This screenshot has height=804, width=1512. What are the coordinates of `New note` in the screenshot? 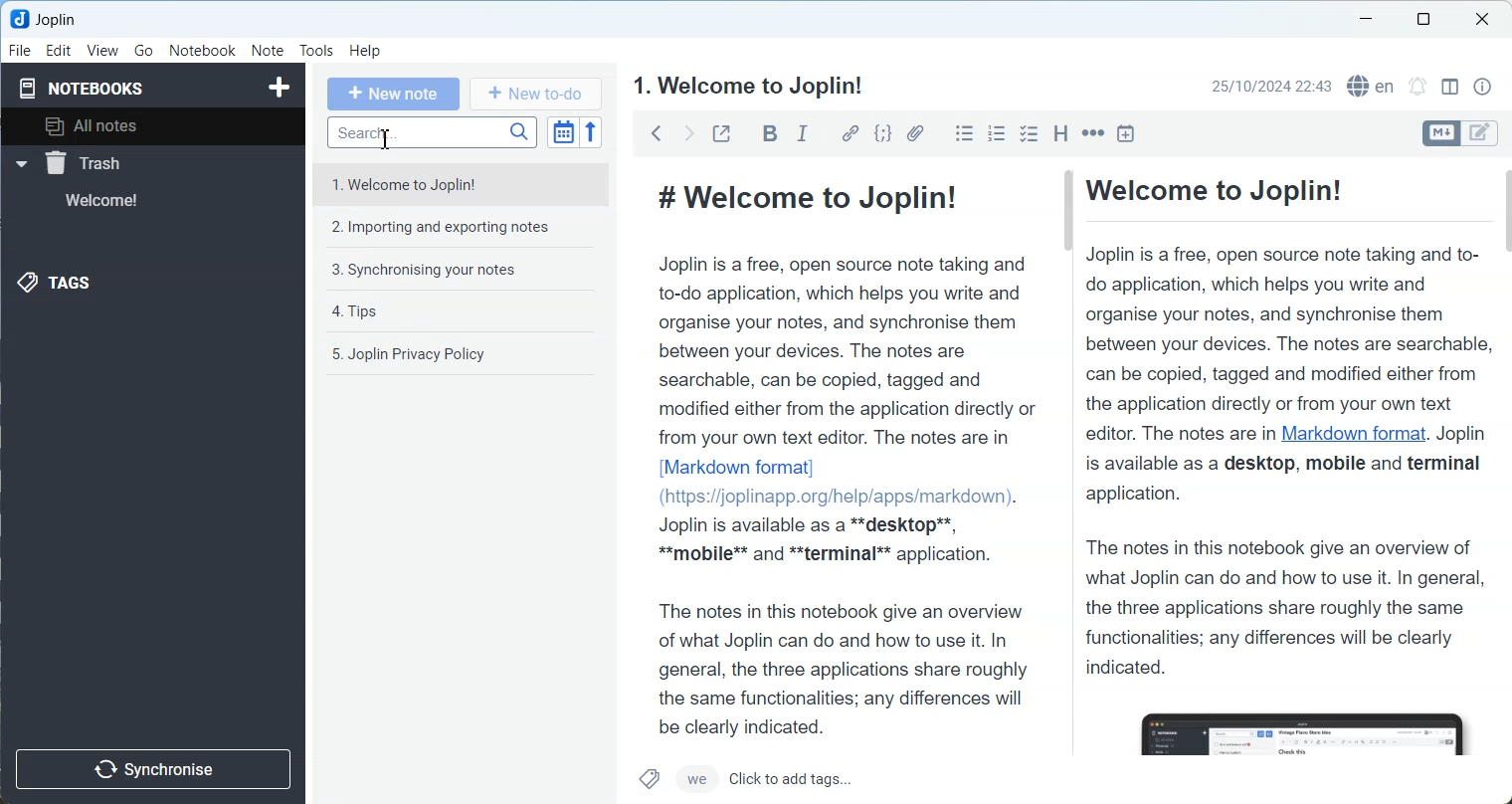 It's located at (394, 95).